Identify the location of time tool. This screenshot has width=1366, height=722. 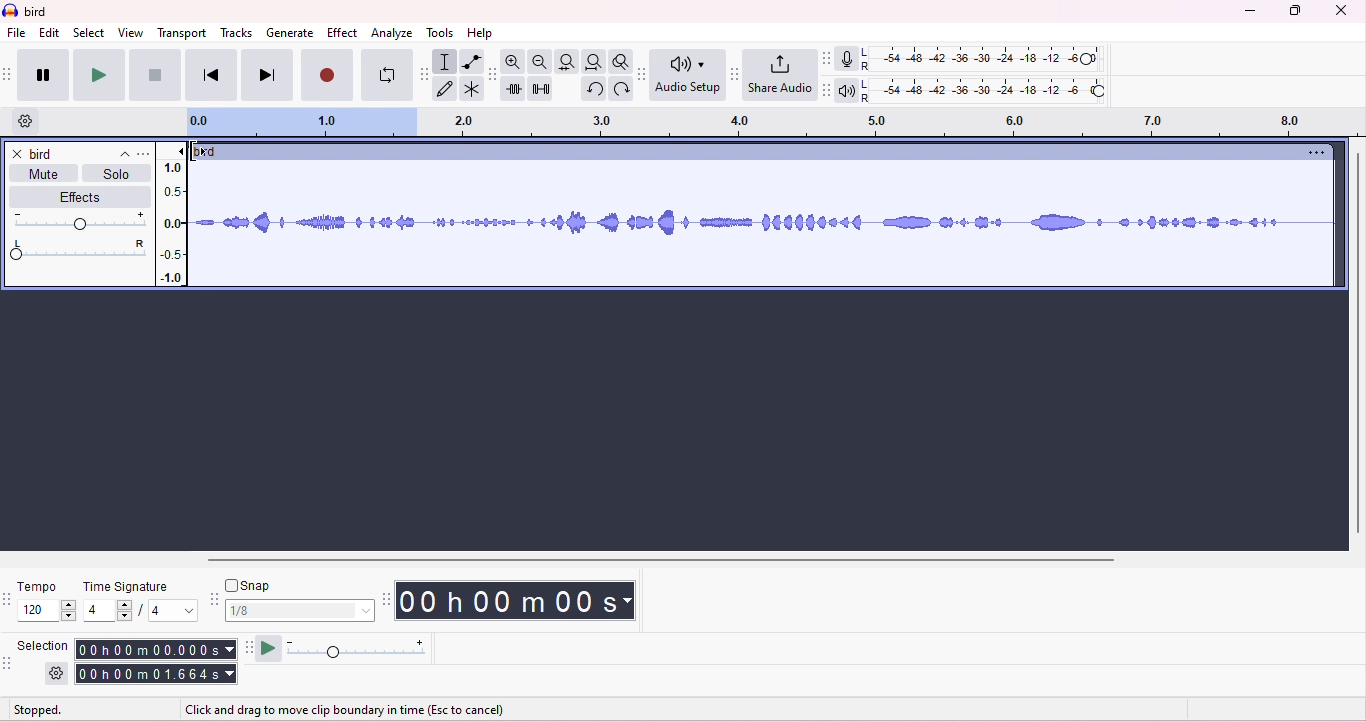
(388, 599).